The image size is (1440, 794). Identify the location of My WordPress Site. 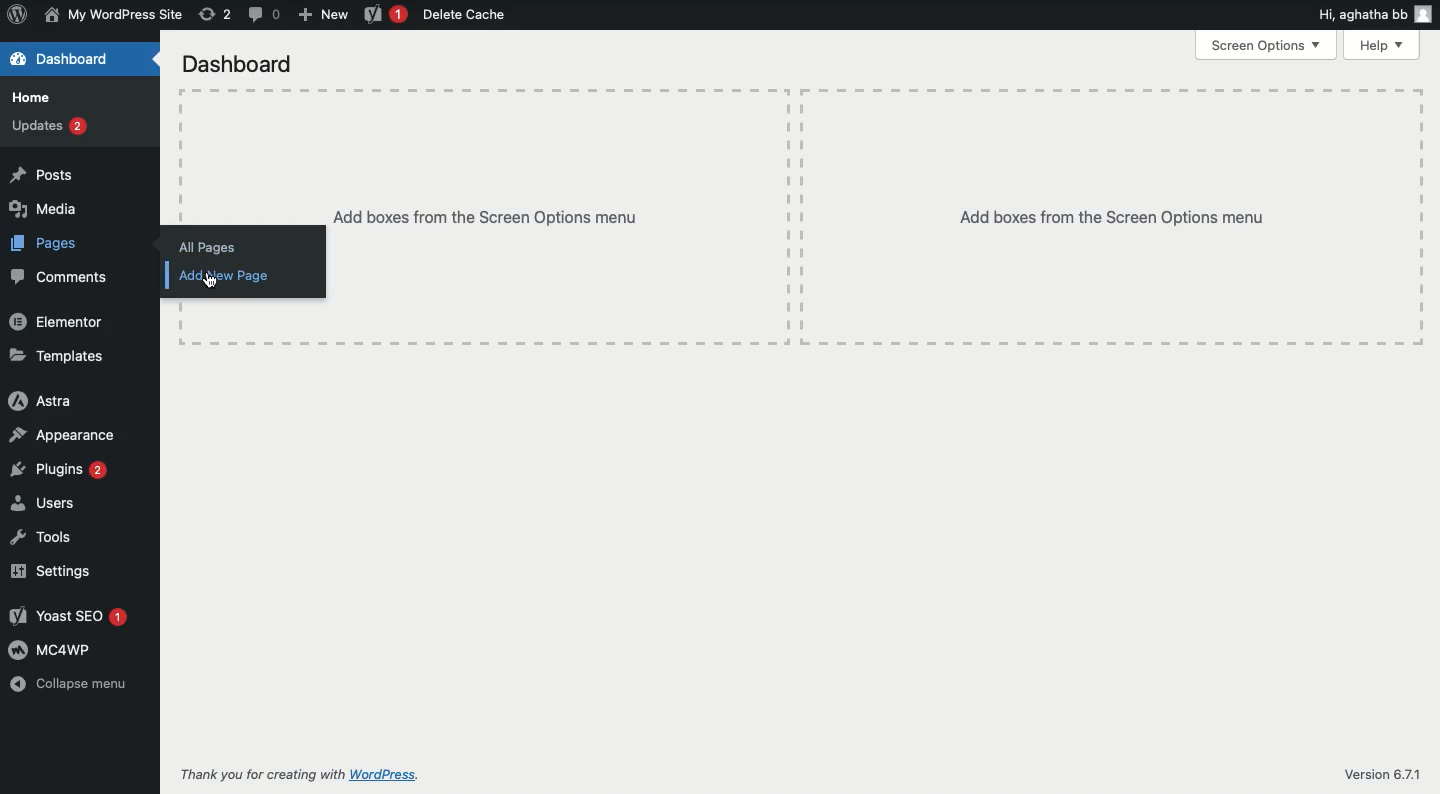
(114, 16).